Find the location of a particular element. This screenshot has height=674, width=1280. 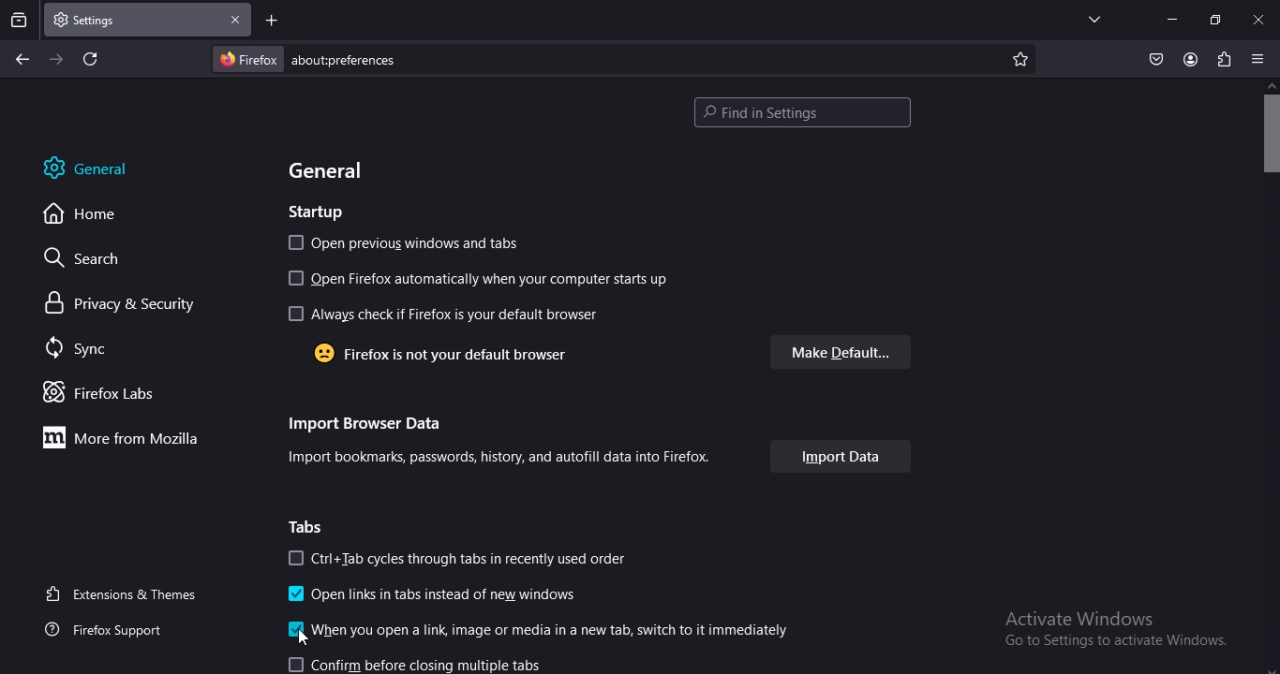

open links in tabs instead of new windows is located at coordinates (430, 595).